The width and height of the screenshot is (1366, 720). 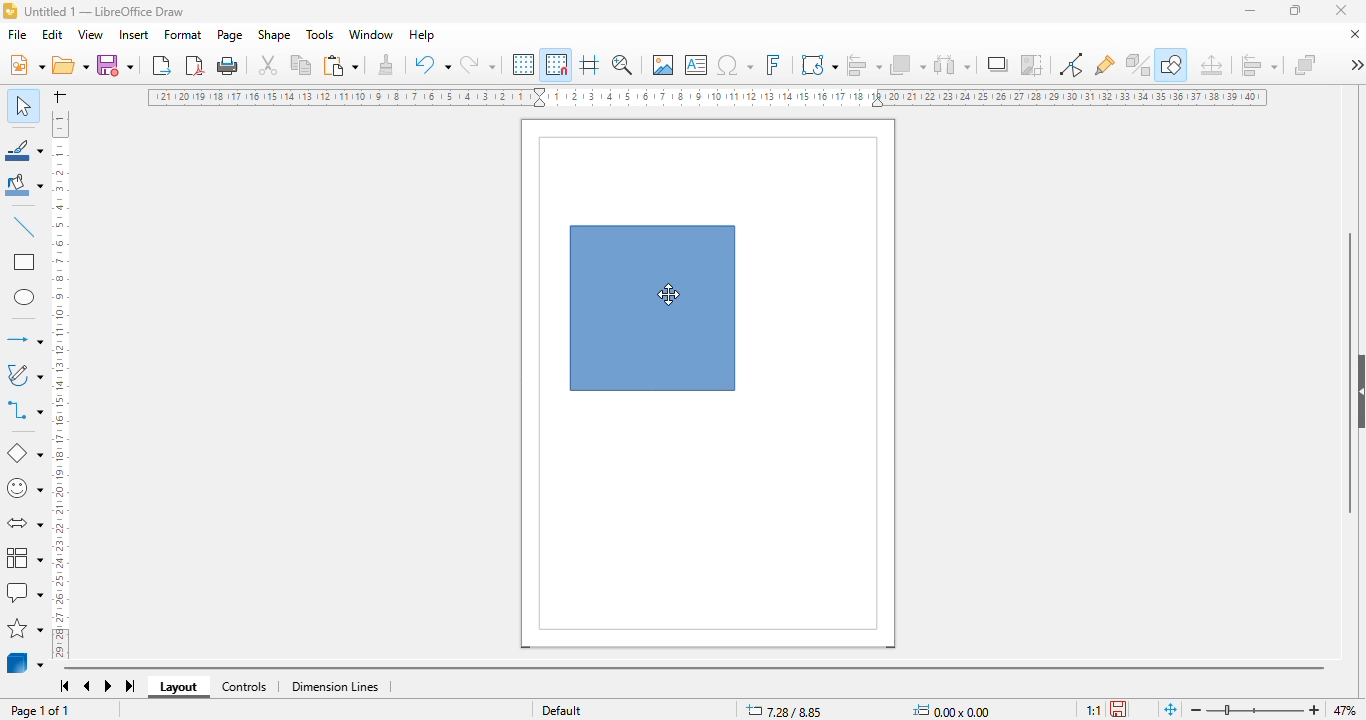 I want to click on minimize, so click(x=1250, y=11).